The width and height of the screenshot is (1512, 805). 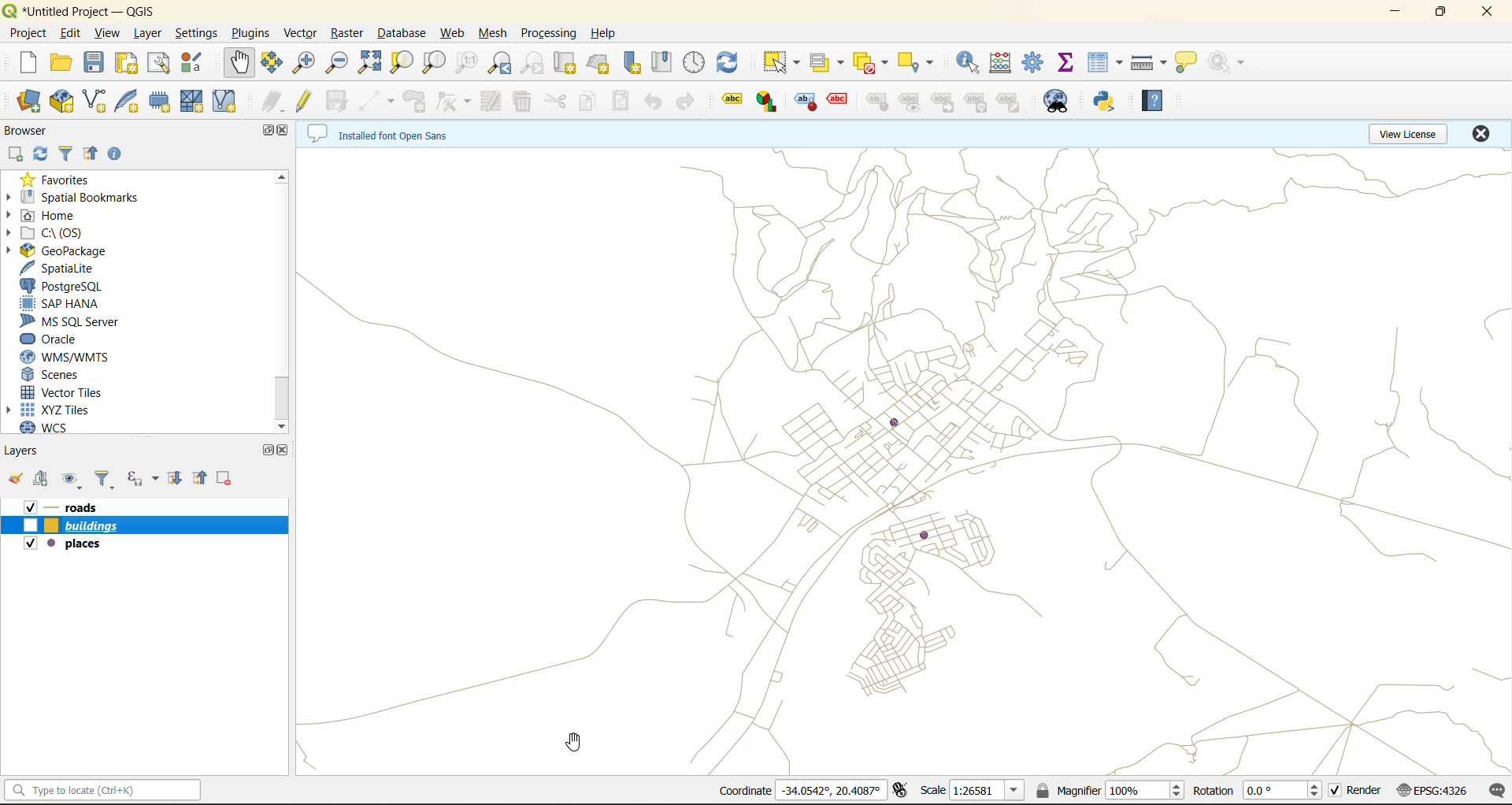 I want to click on sap hana, so click(x=67, y=305).